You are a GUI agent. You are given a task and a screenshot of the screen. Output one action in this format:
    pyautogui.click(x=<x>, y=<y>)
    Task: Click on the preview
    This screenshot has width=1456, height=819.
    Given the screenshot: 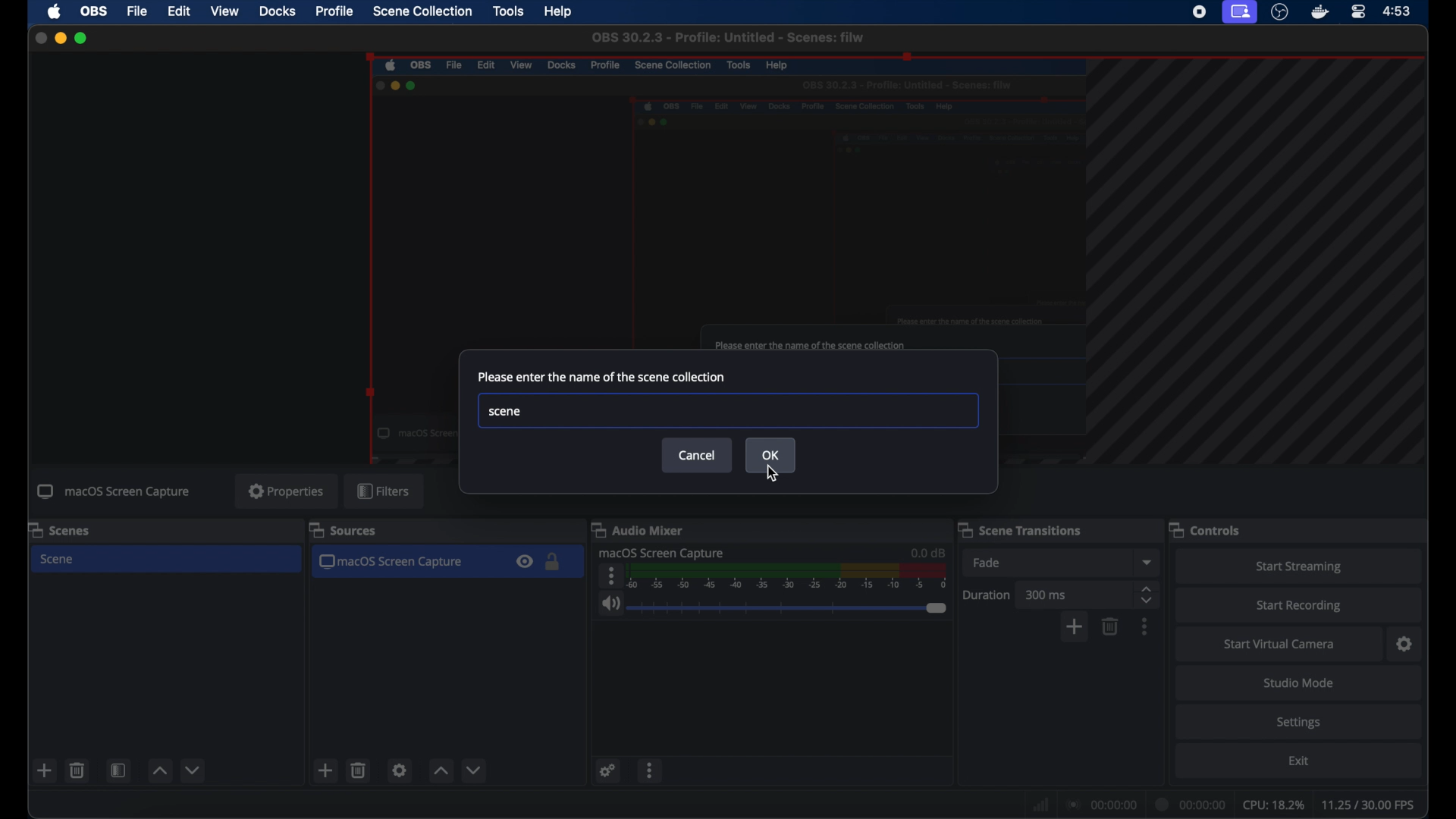 What is the action you would take?
    pyautogui.click(x=723, y=203)
    